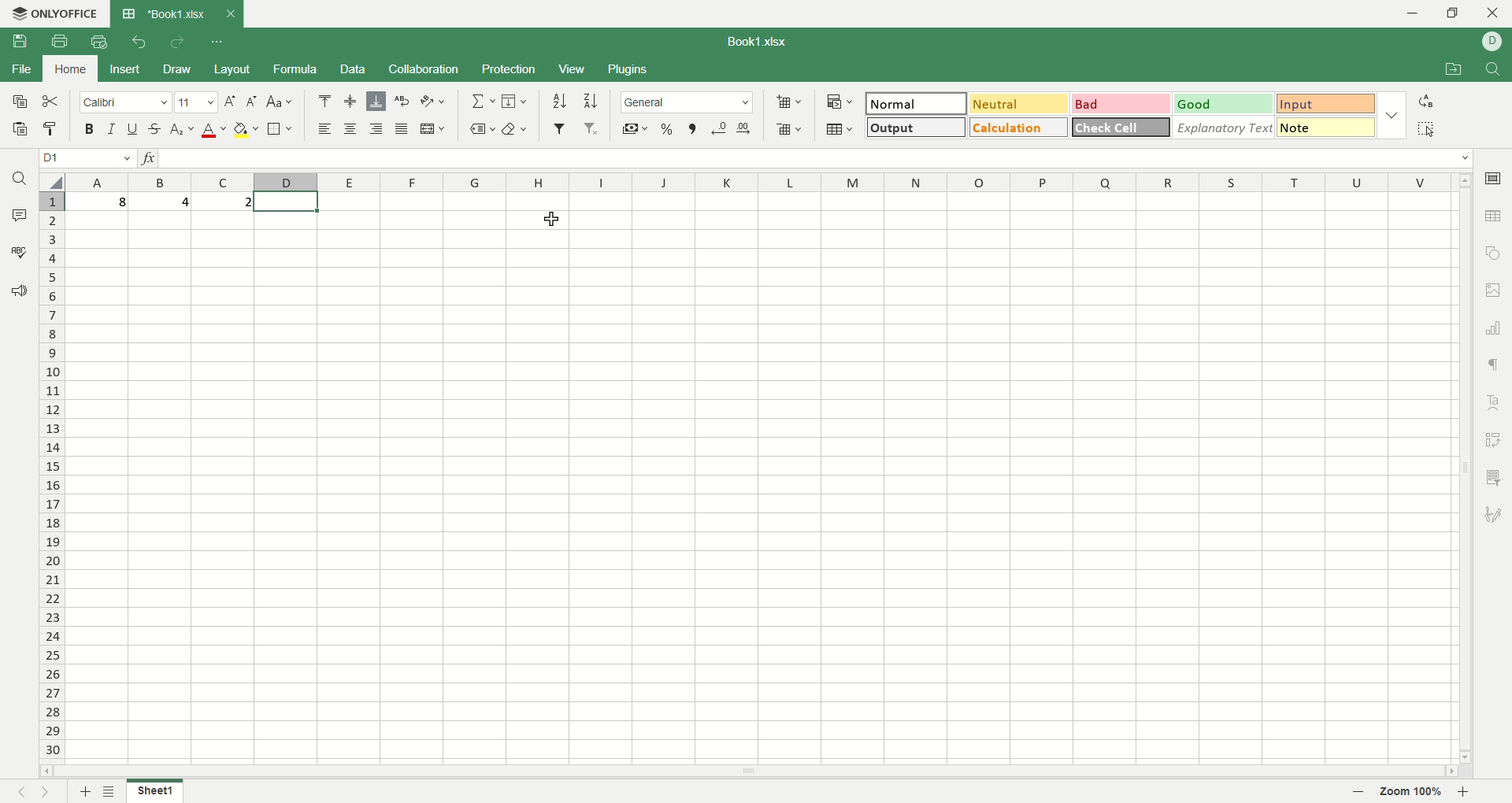 The image size is (1512, 803). I want to click on signature settings, so click(1494, 513).